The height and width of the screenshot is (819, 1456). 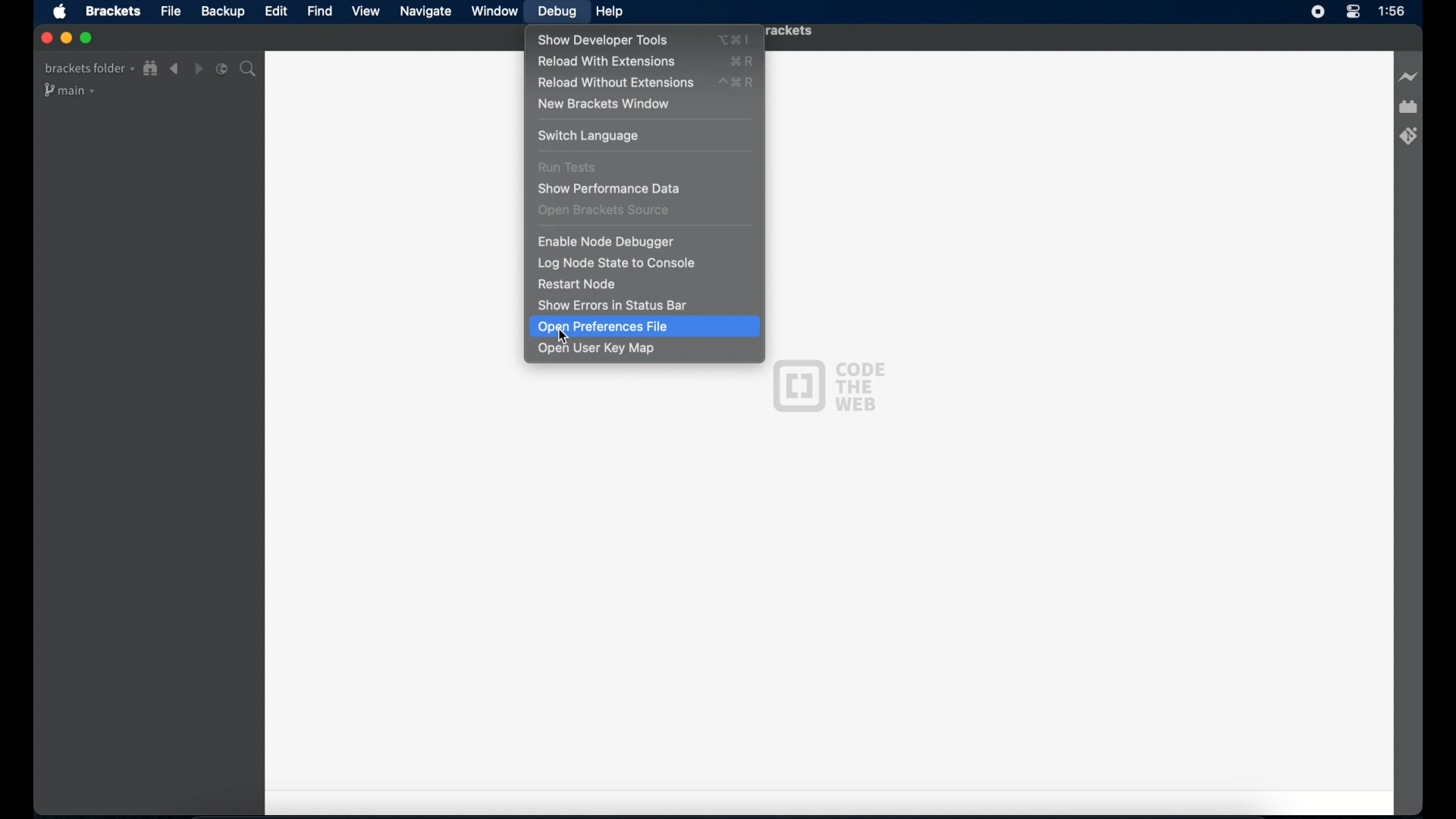 What do you see at coordinates (1392, 11) in the screenshot?
I see `1:56` at bounding box center [1392, 11].